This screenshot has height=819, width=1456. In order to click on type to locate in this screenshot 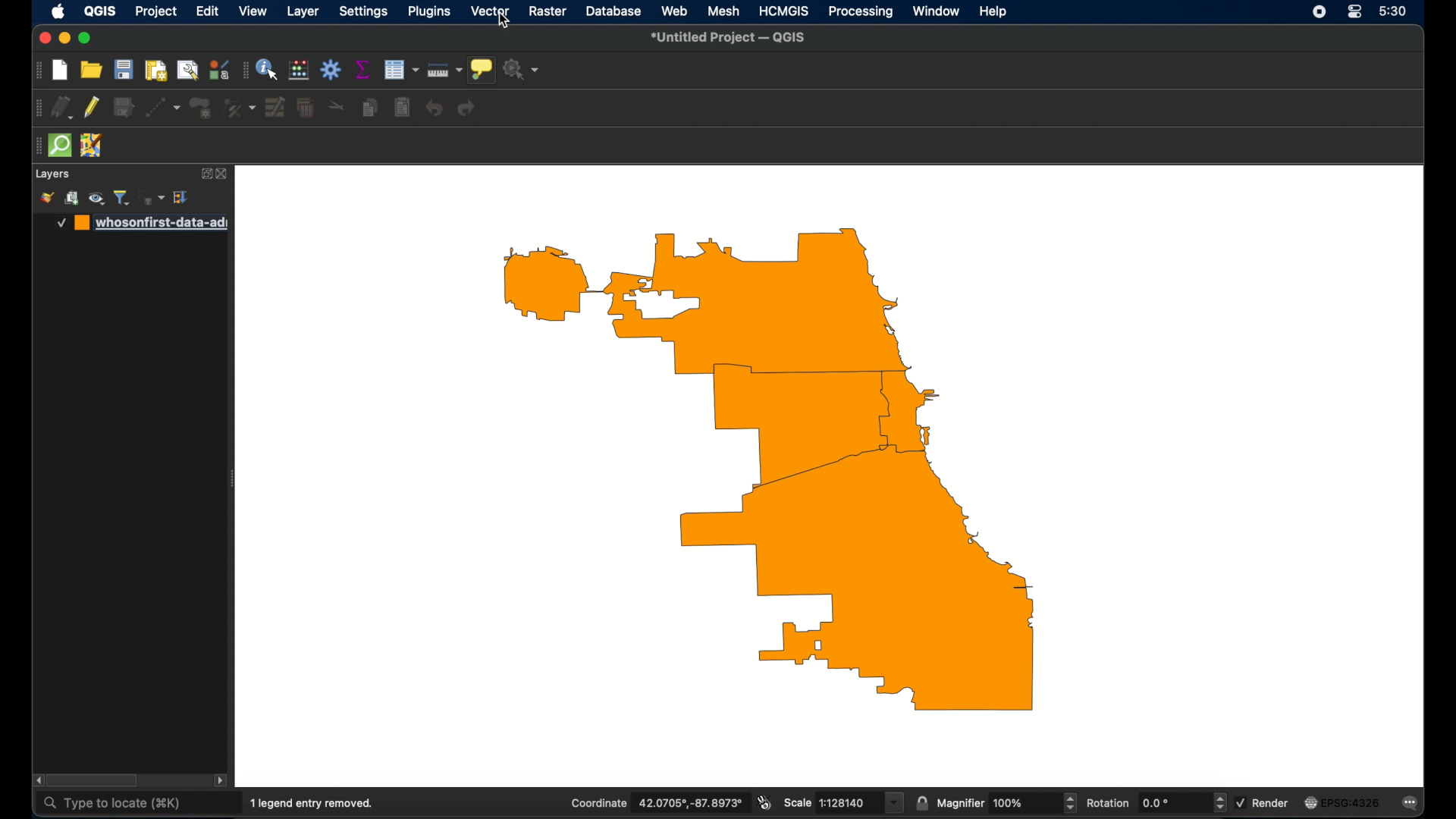, I will do `click(115, 805)`.